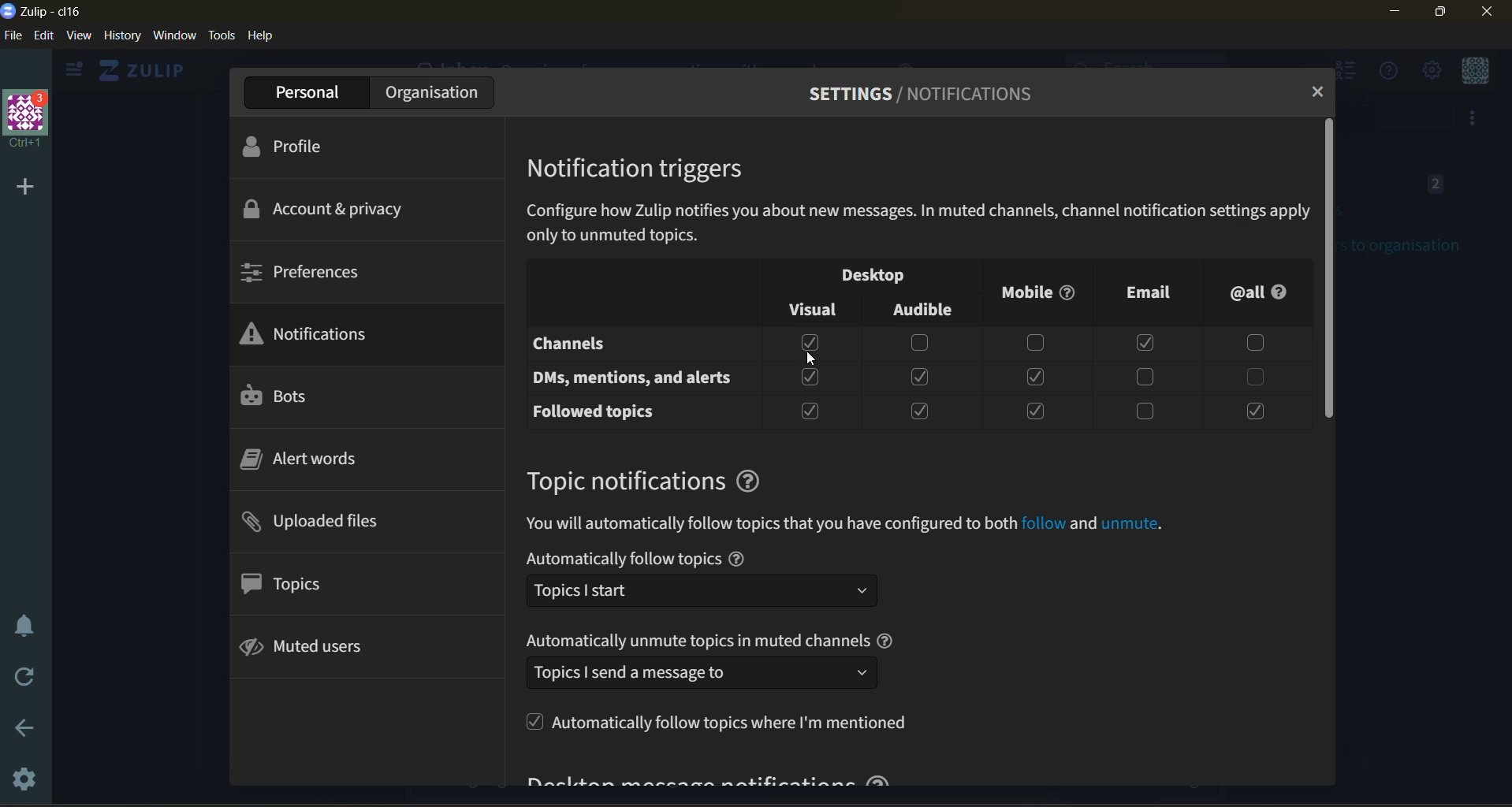 This screenshot has height=807, width=1512. Describe the element at coordinates (770, 524) in the screenshot. I see `text` at that location.